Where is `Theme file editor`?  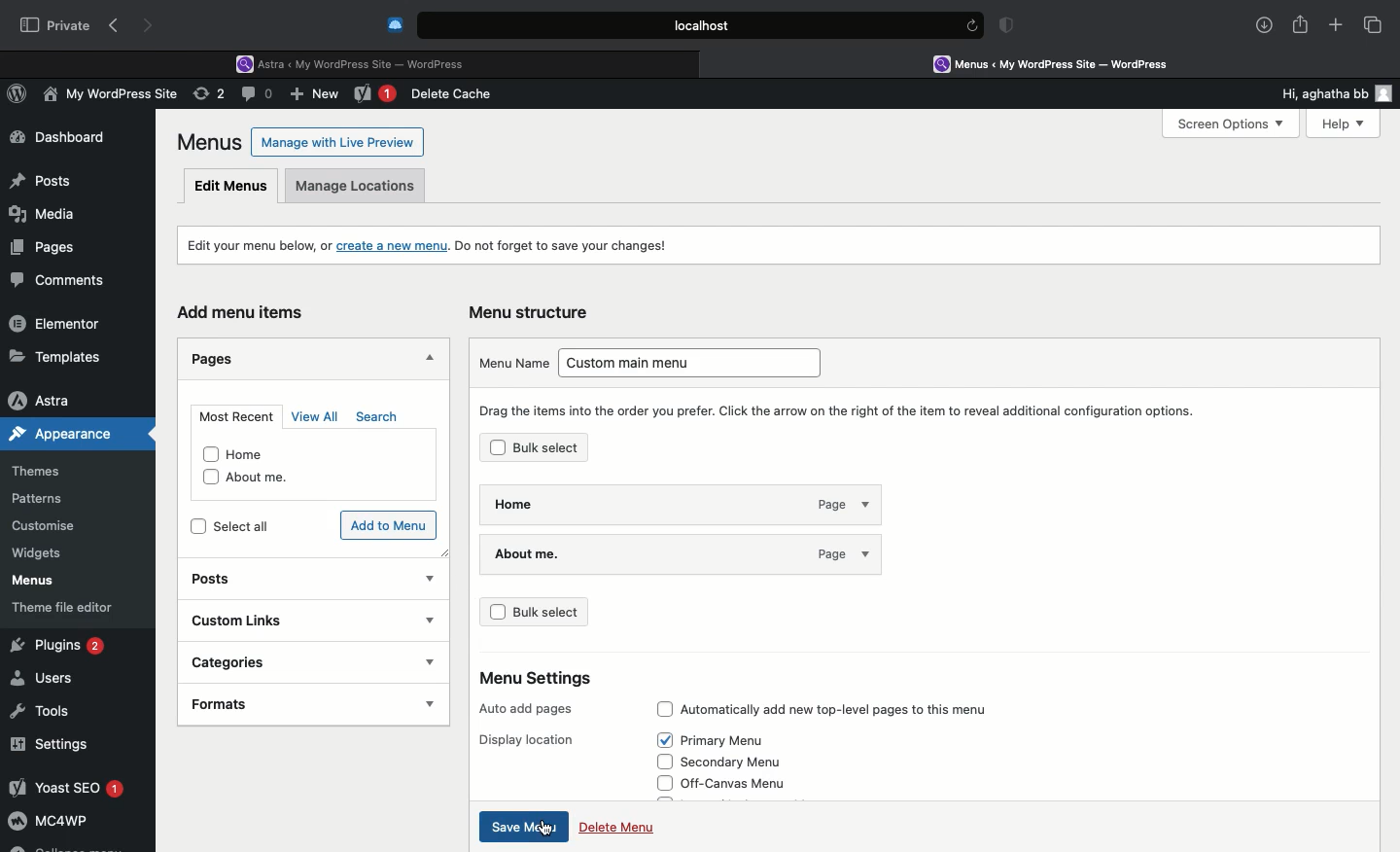 Theme file editor is located at coordinates (70, 607).